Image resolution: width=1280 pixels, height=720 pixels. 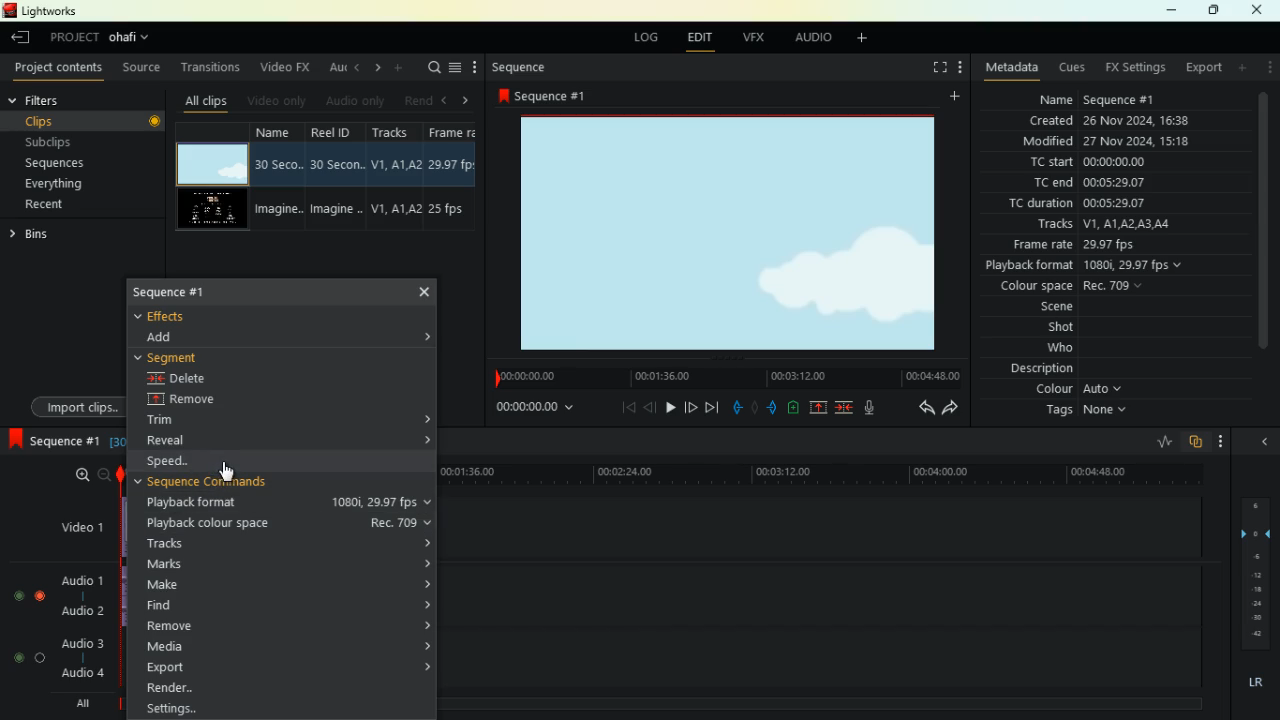 I want to click on find, so click(x=289, y=607).